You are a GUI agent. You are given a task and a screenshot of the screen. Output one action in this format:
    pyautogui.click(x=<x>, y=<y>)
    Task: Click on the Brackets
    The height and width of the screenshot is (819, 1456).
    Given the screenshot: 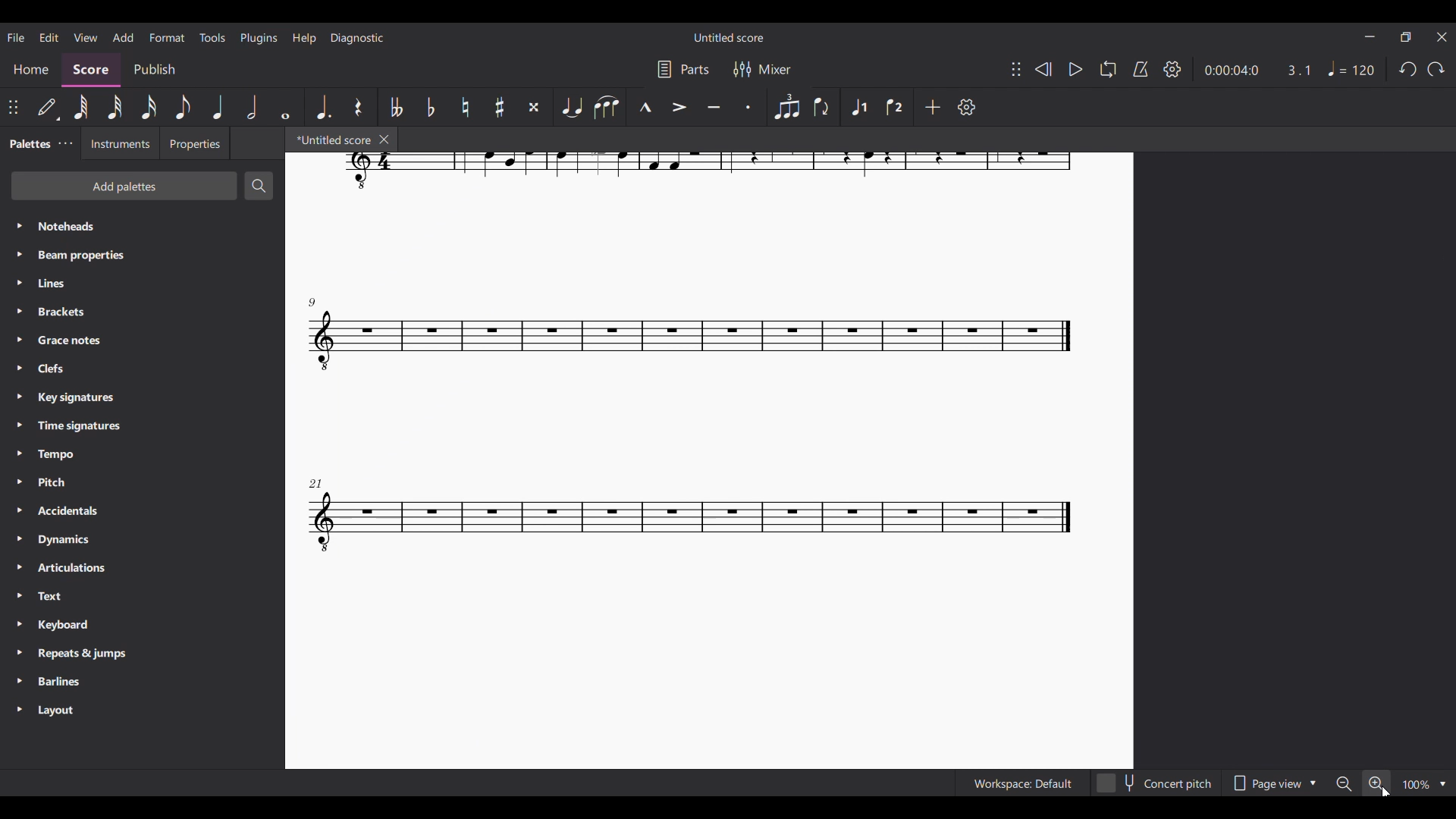 What is the action you would take?
    pyautogui.click(x=142, y=312)
    